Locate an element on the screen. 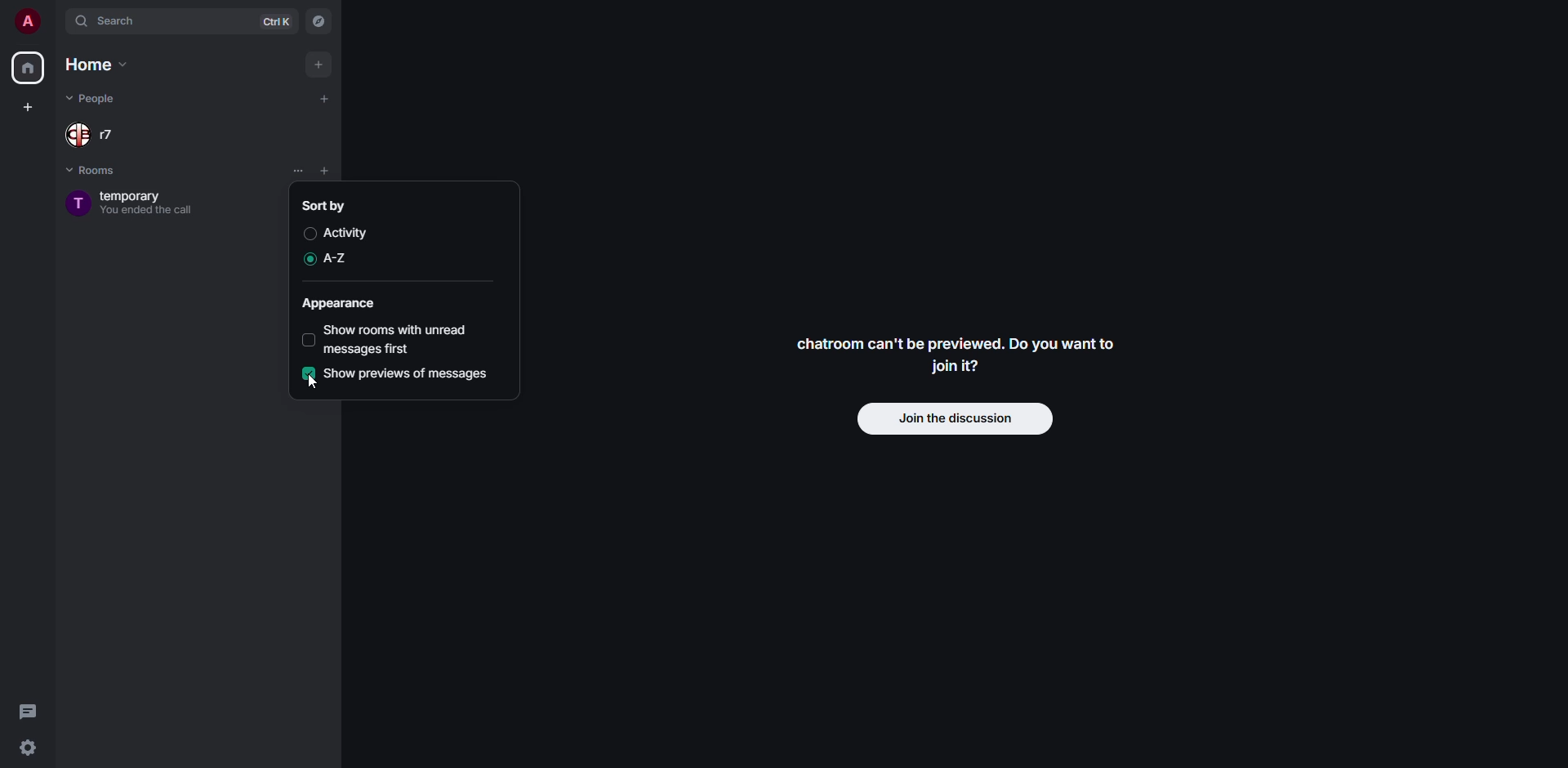  list options is located at coordinates (299, 169).